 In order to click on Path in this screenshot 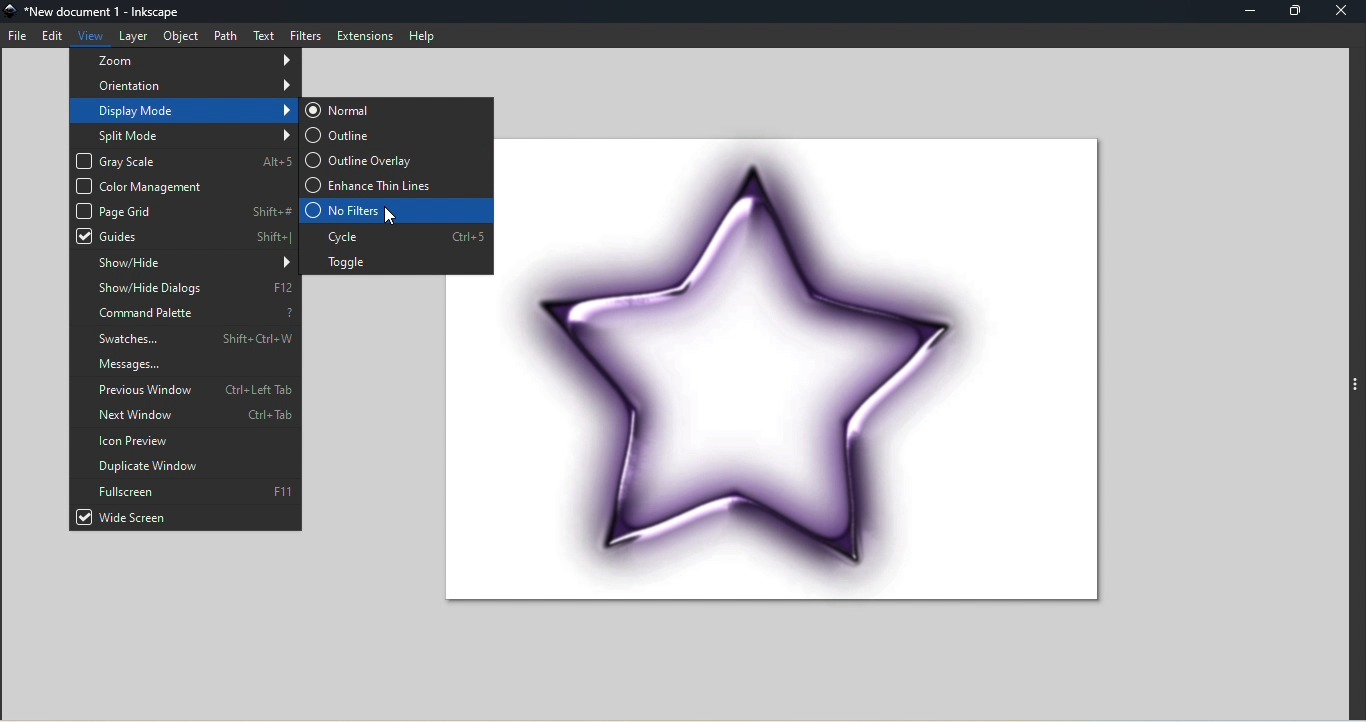, I will do `click(224, 36)`.